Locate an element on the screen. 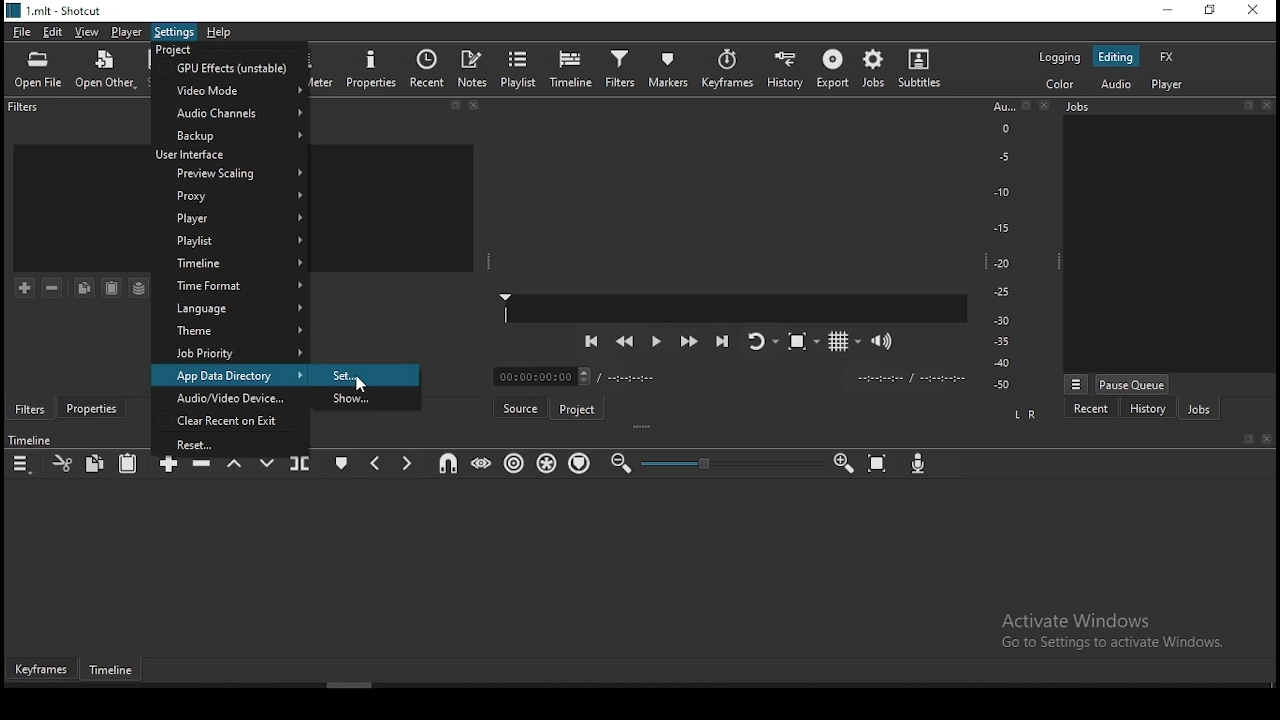 The width and height of the screenshot is (1280, 720). open file is located at coordinates (42, 68).